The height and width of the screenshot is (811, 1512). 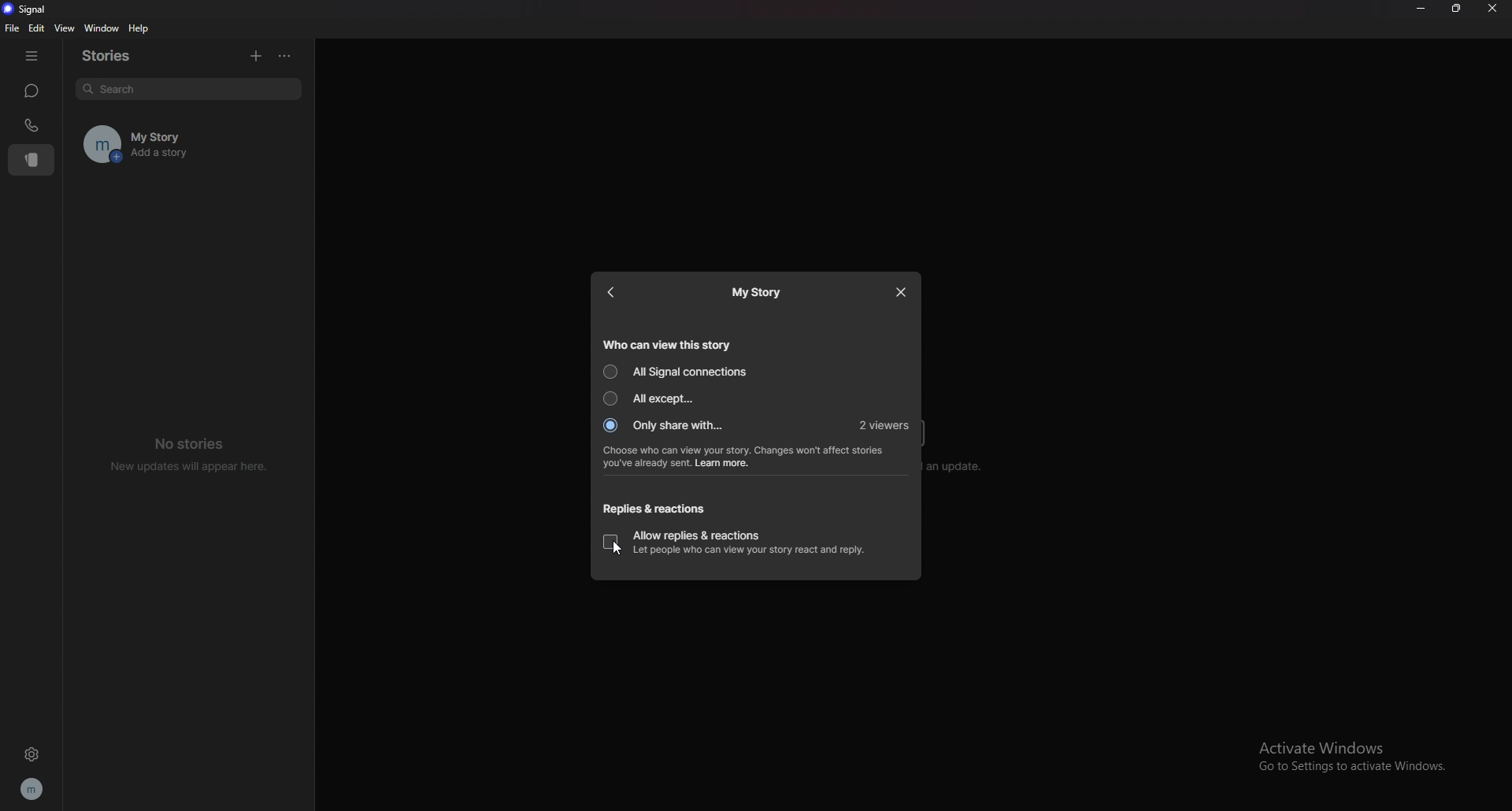 I want to click on checkbox, so click(x=610, y=543).